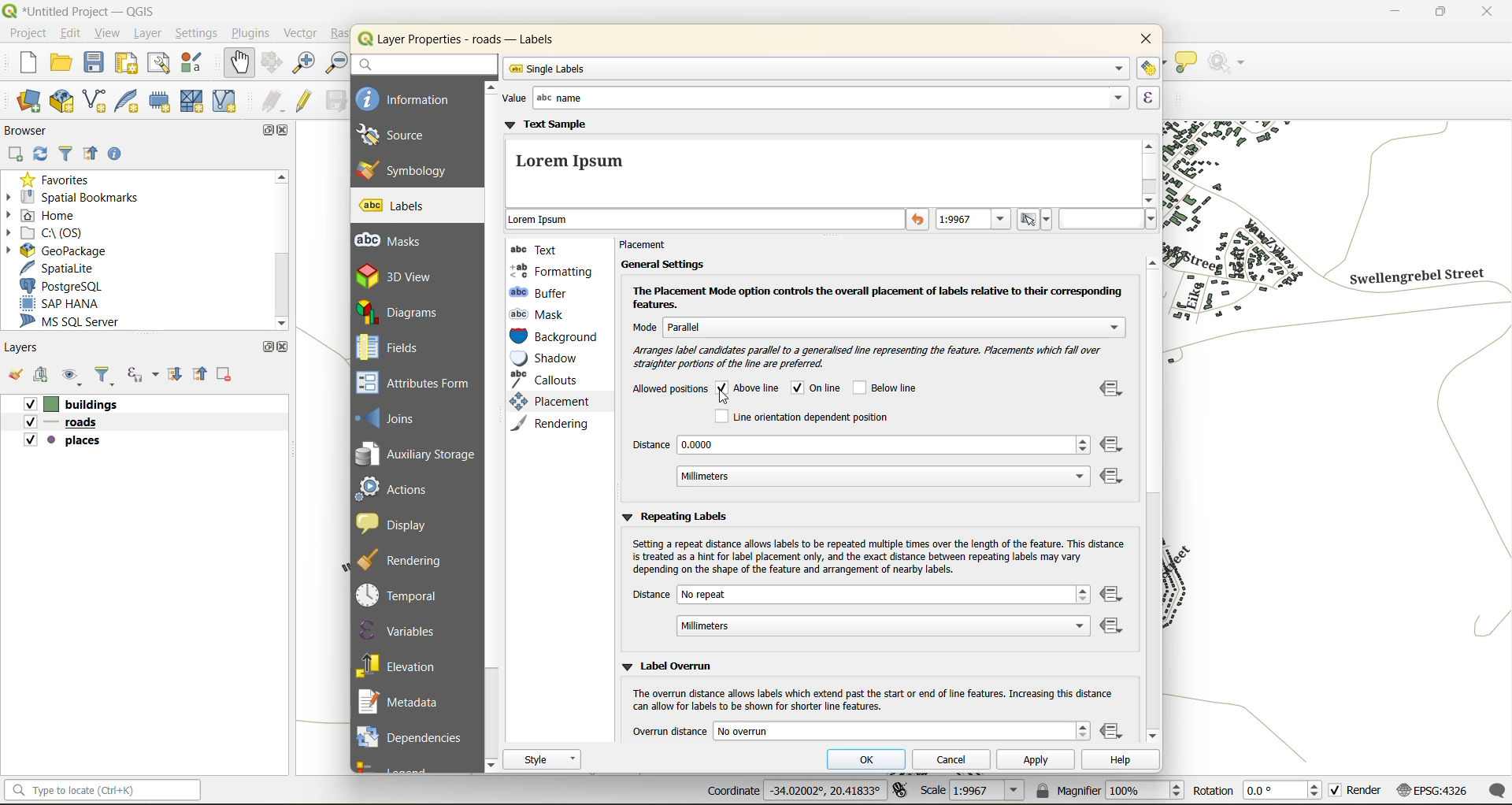  What do you see at coordinates (132, 103) in the screenshot?
I see `new spatialite layer` at bounding box center [132, 103].